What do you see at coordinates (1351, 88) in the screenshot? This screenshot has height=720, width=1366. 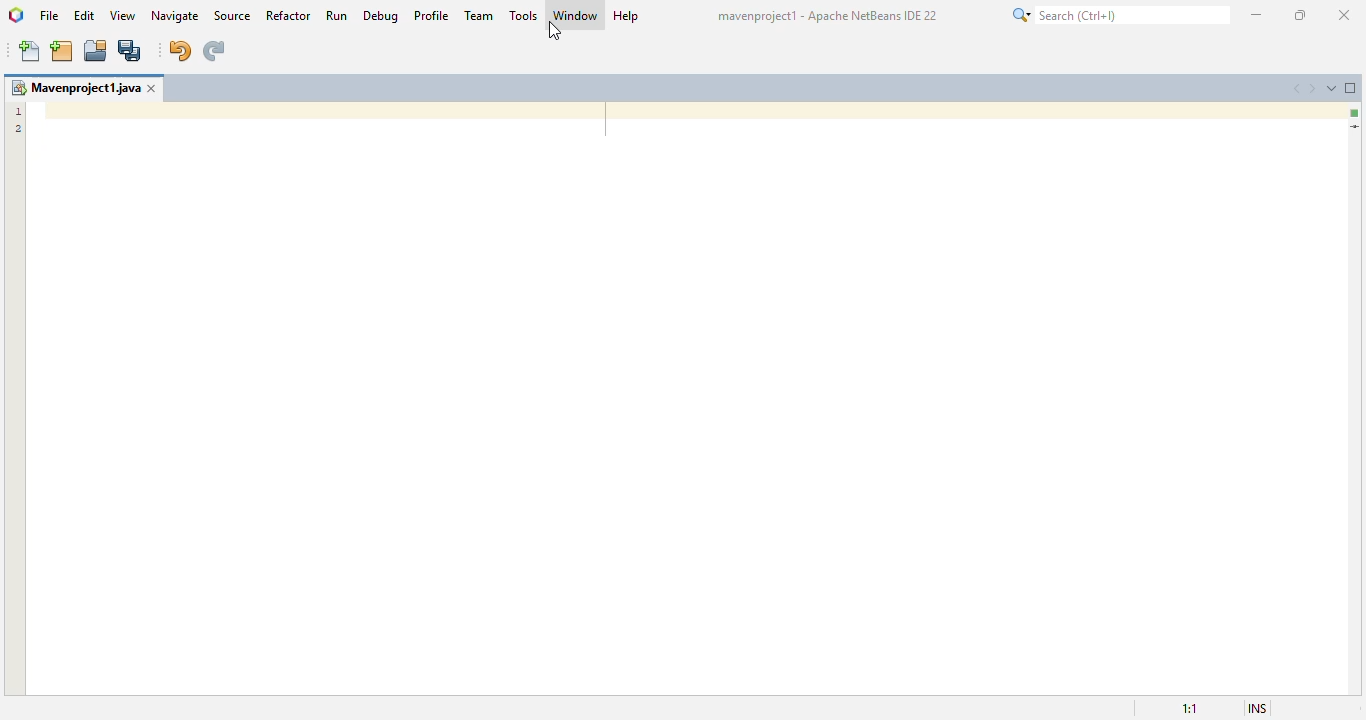 I see `maximize window` at bounding box center [1351, 88].